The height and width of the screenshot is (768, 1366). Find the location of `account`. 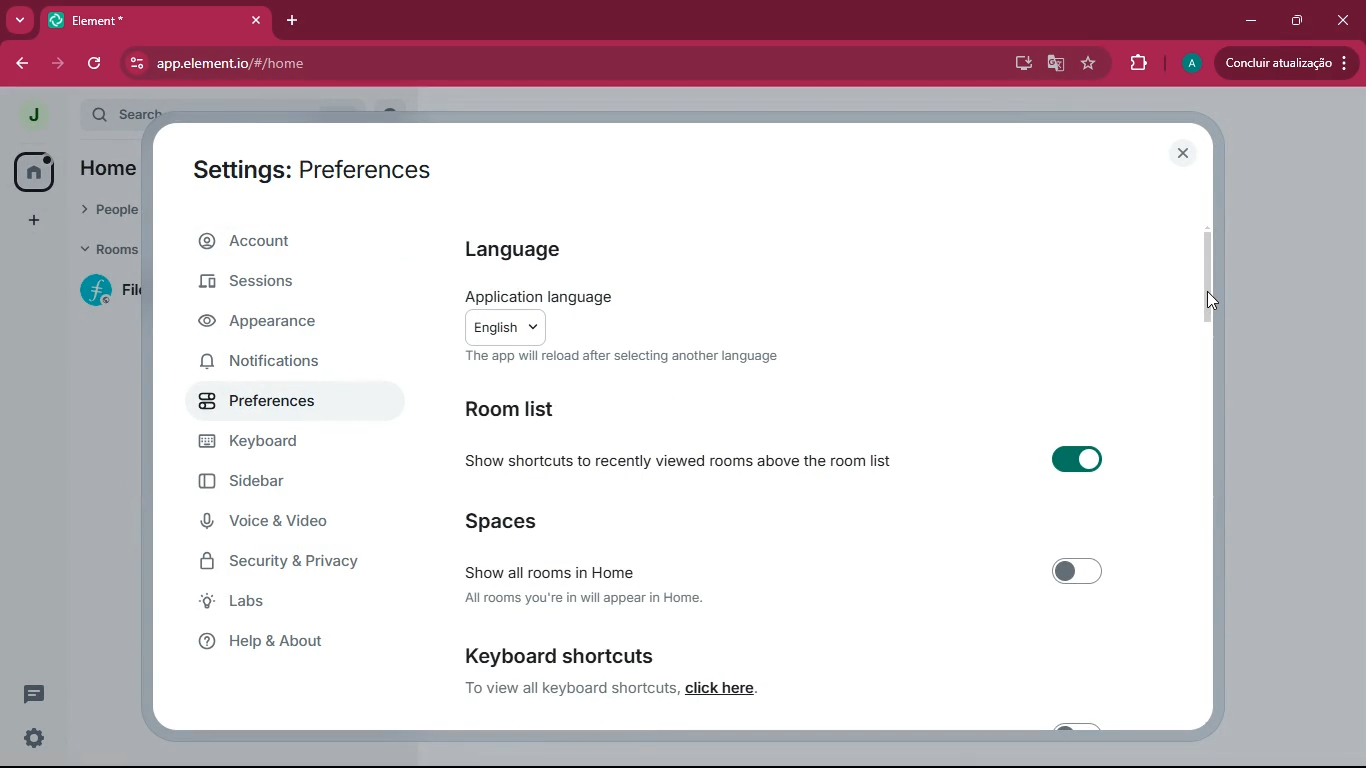

account is located at coordinates (290, 240).